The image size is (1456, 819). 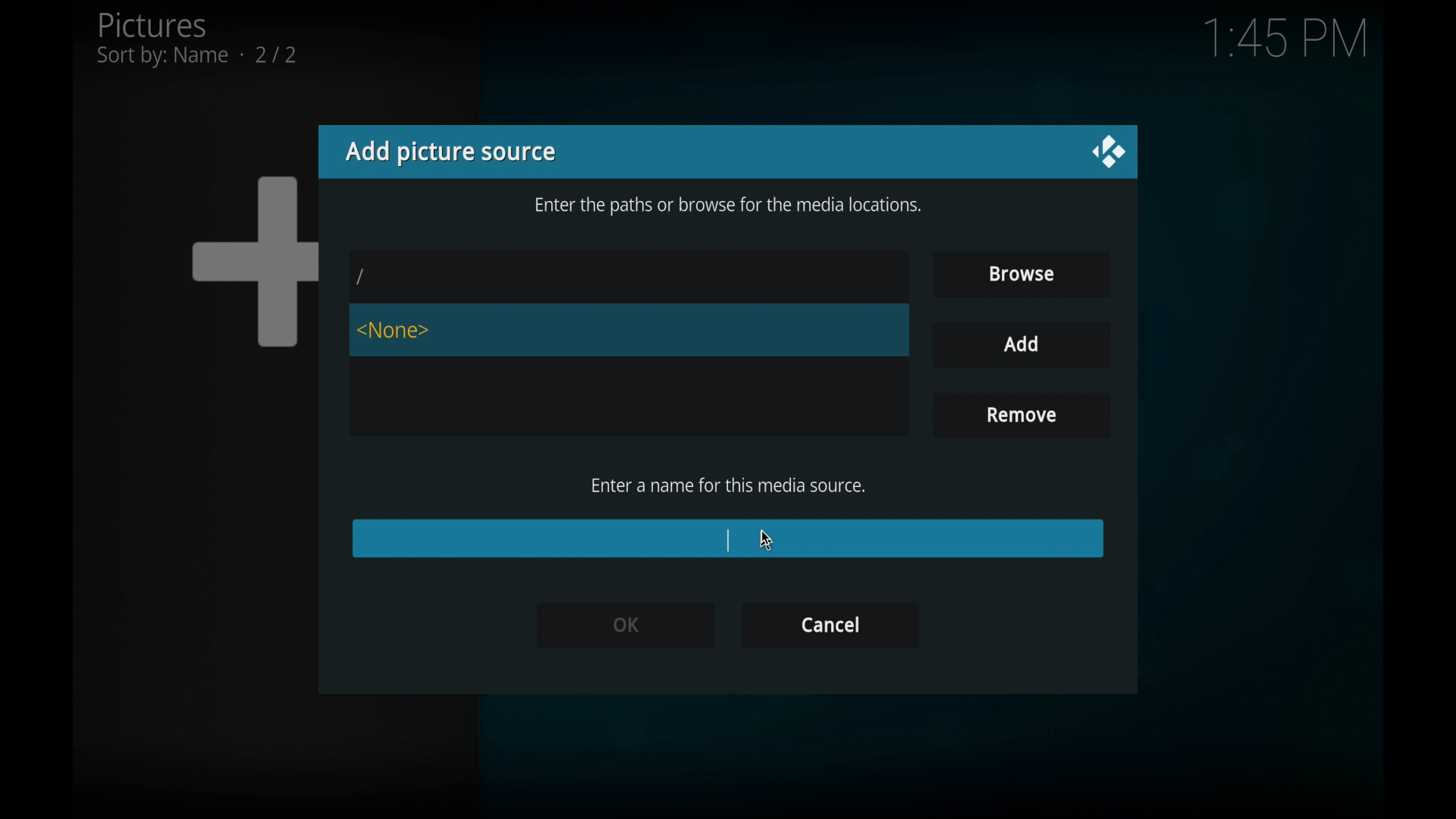 I want to click on empty field, so click(x=726, y=538).